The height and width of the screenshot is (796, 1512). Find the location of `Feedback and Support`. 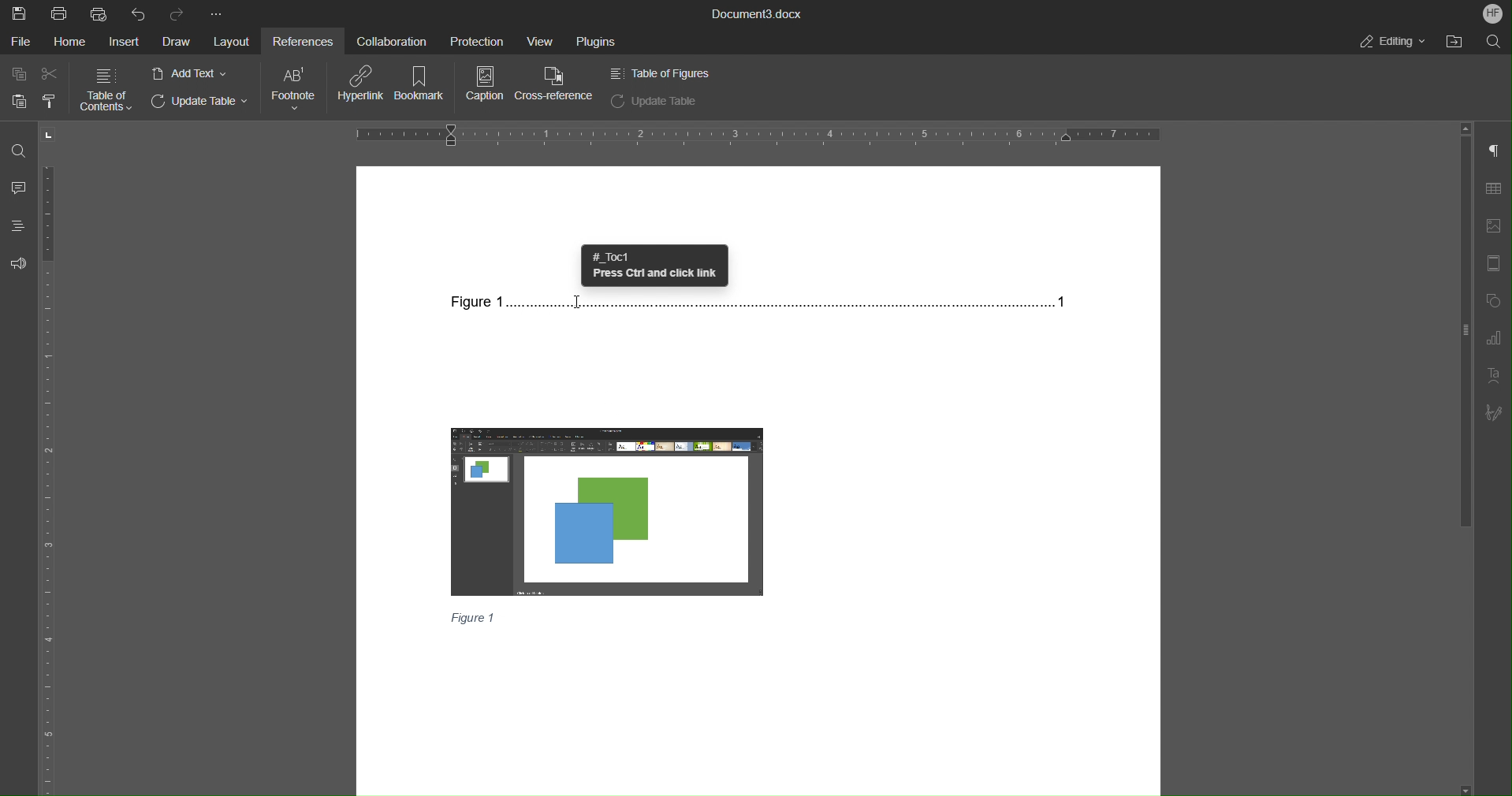

Feedback and Support is located at coordinates (17, 264).